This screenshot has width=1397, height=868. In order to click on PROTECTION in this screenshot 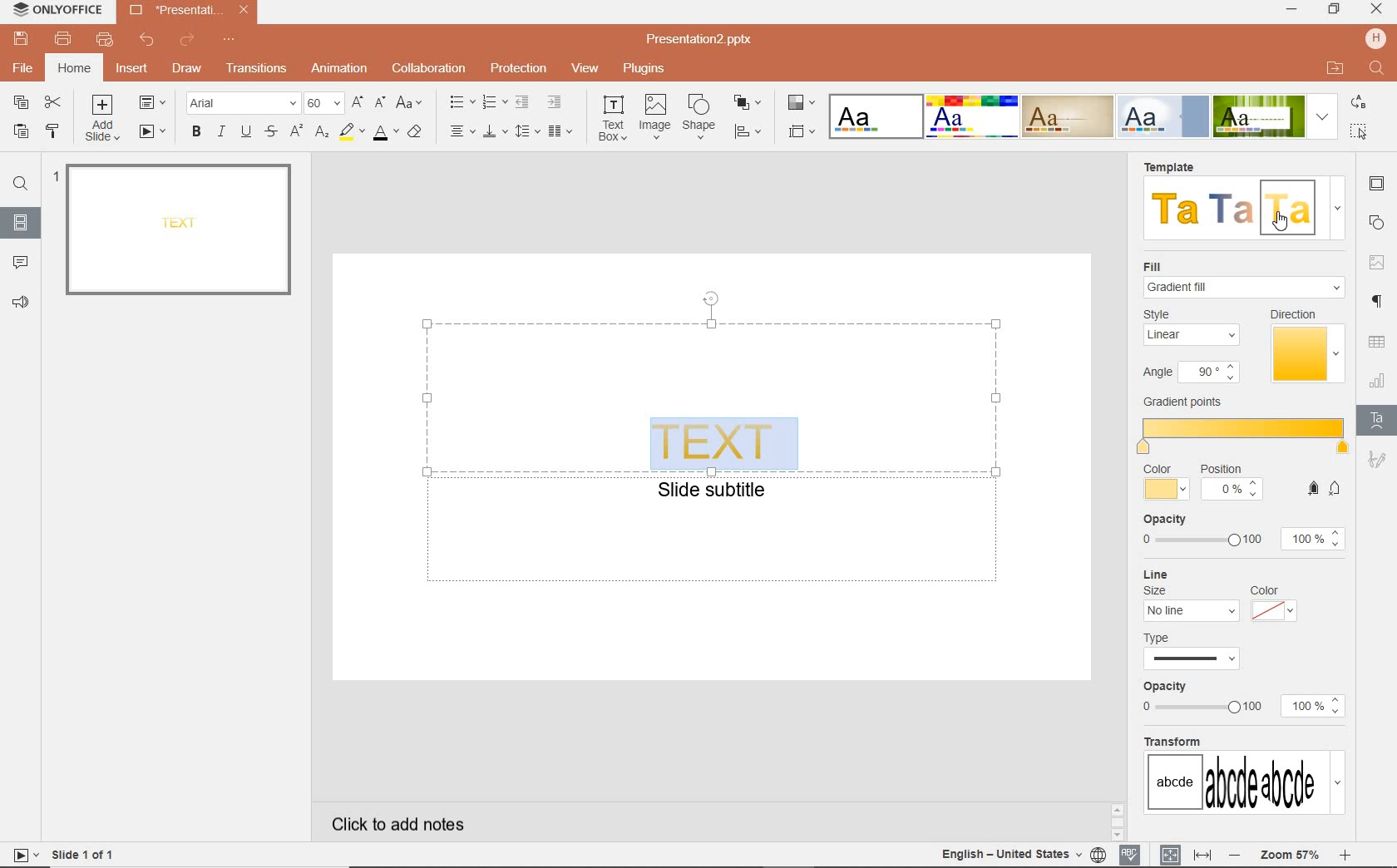, I will do `click(517, 68)`.